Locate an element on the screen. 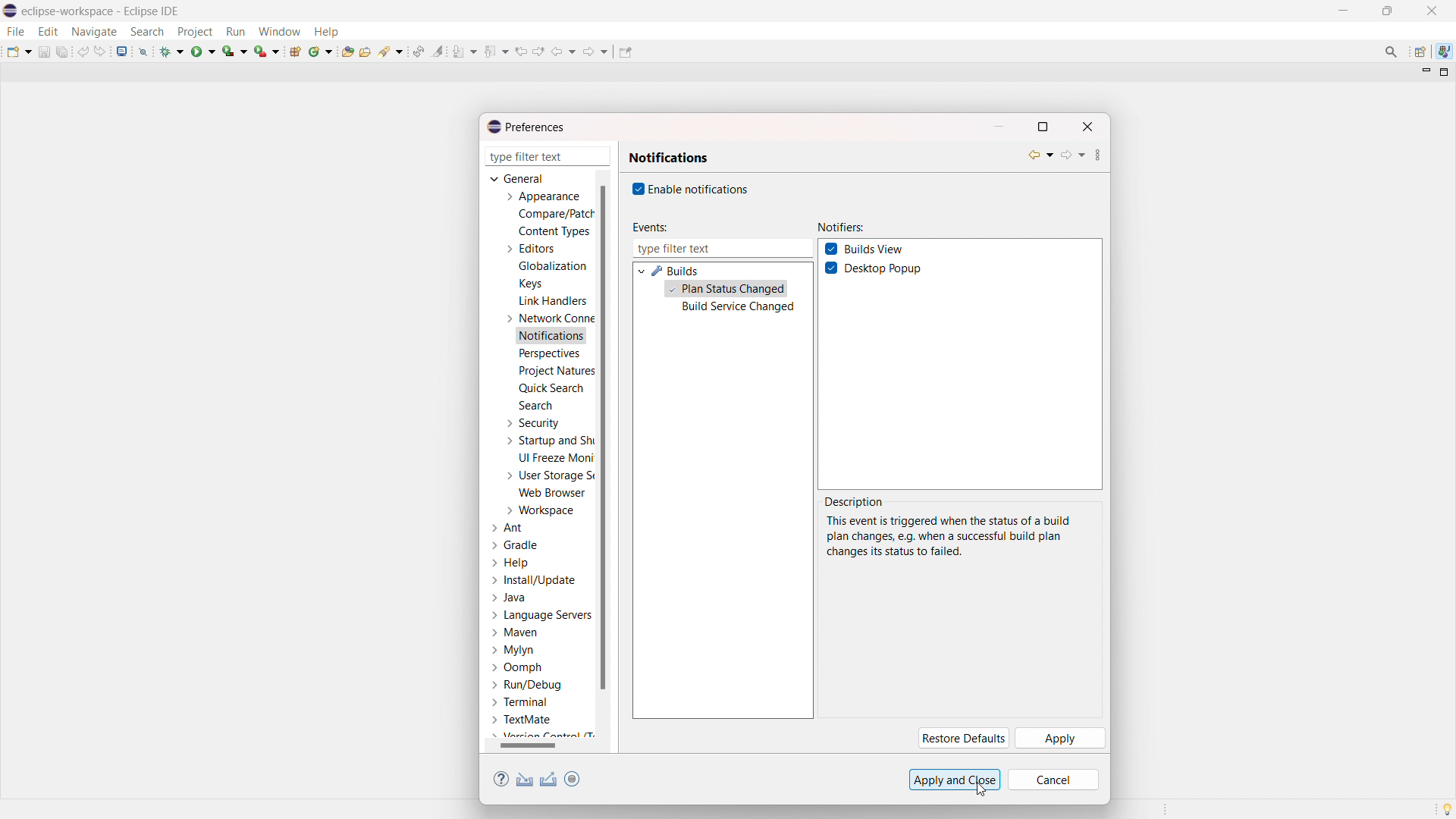  search is located at coordinates (147, 32).